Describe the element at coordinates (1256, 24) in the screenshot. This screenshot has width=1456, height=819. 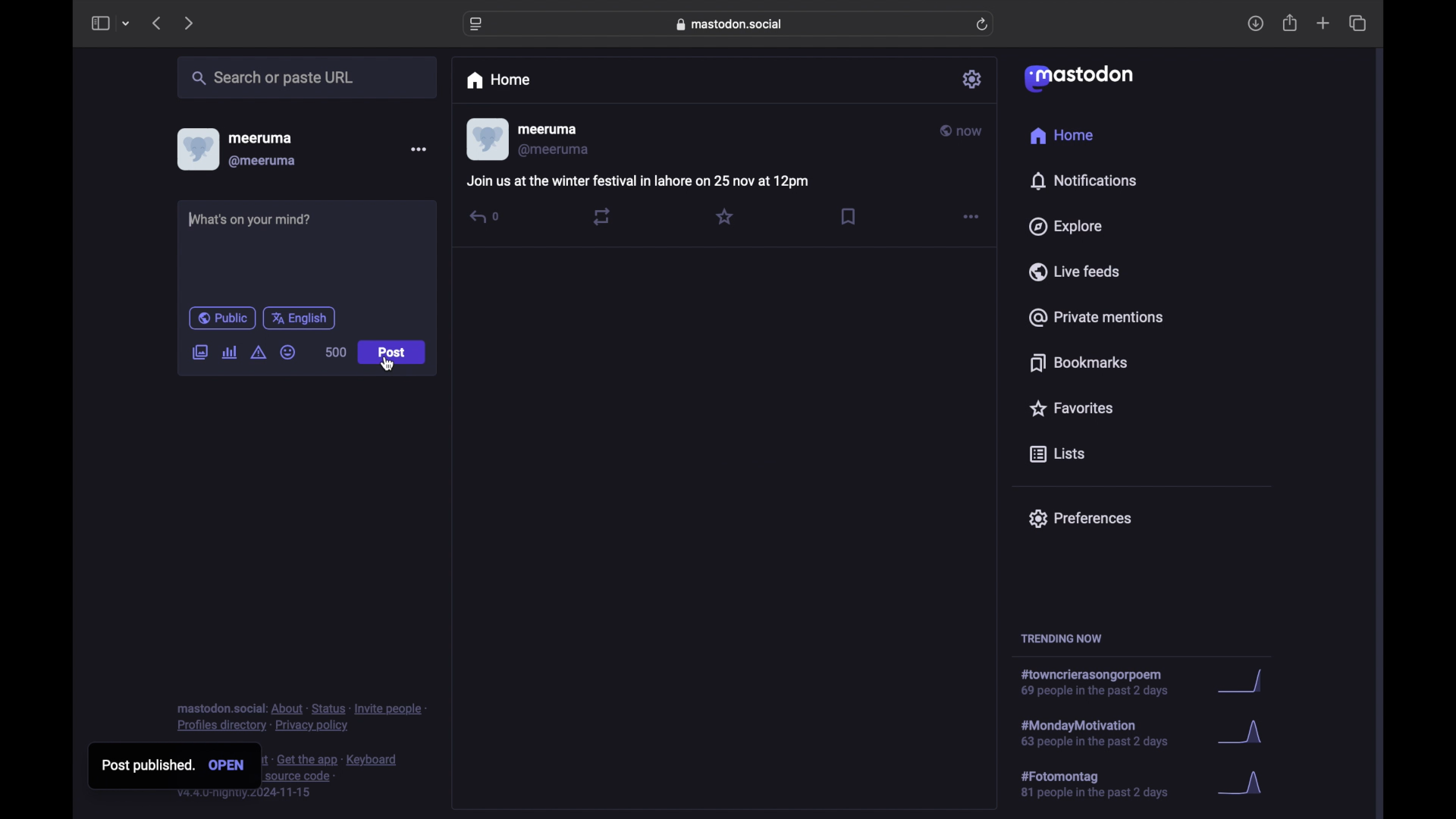
I see `download` at that location.